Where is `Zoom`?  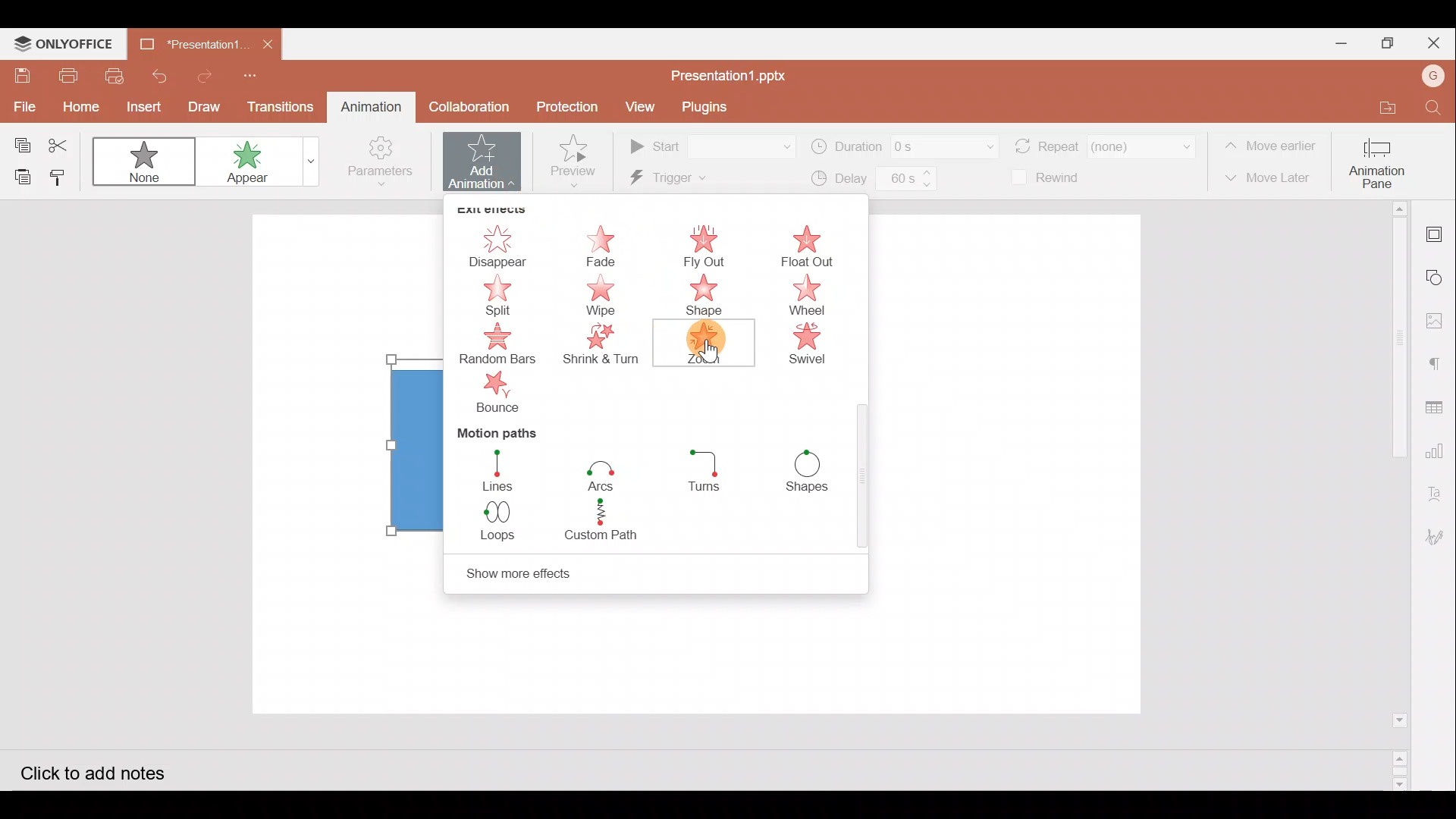 Zoom is located at coordinates (701, 343).